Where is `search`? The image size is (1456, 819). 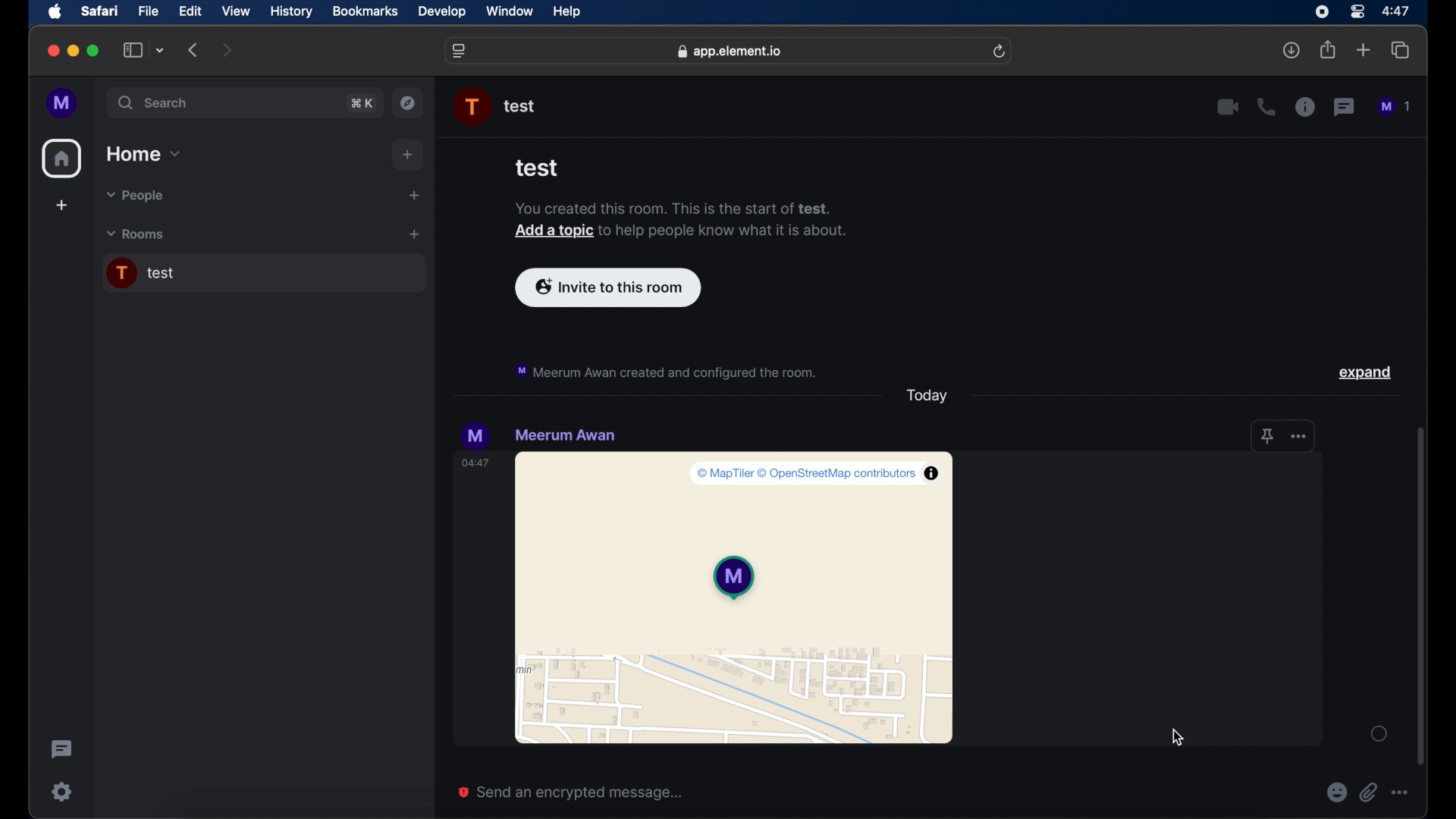 search is located at coordinates (155, 103).